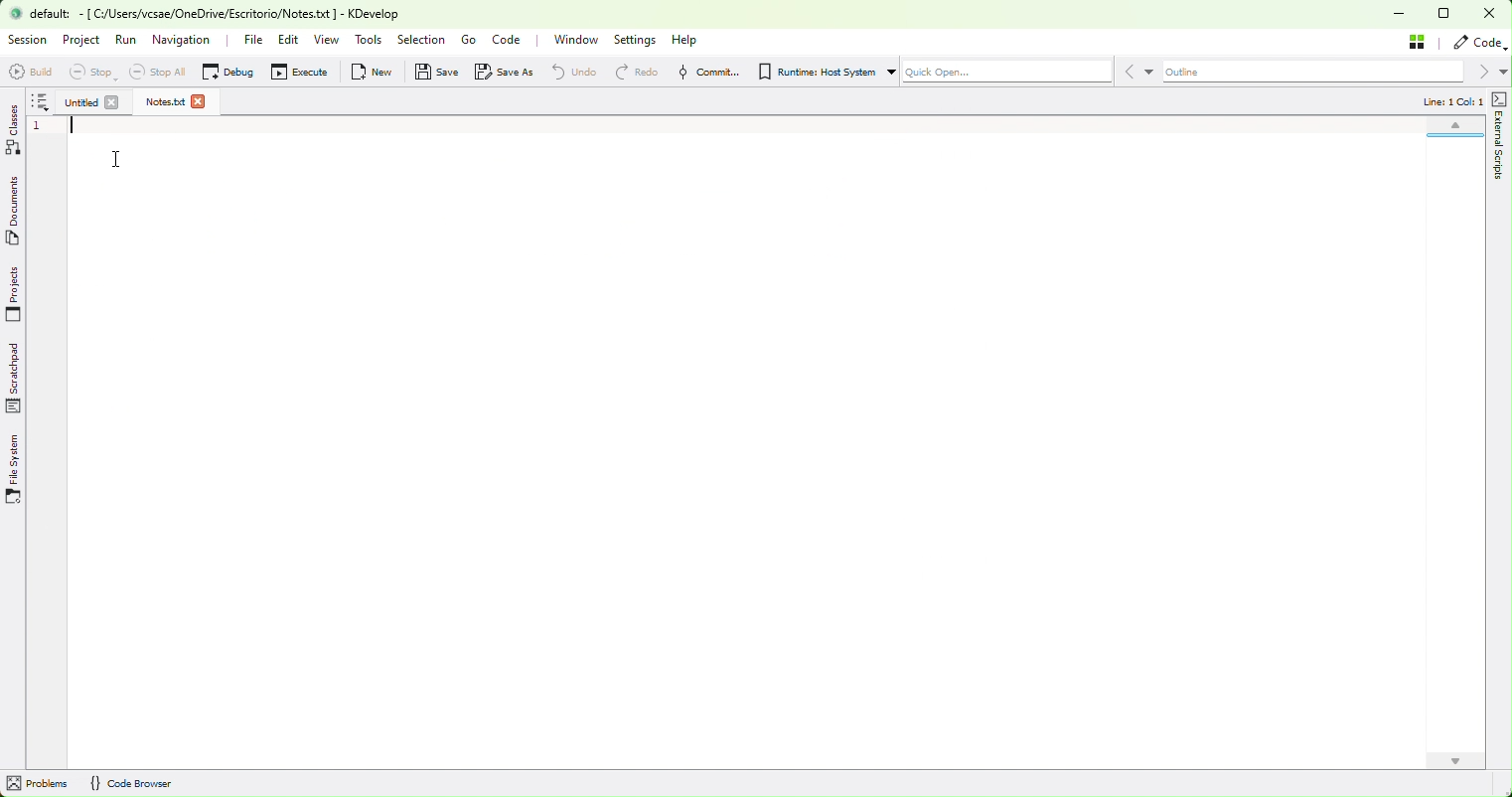 This screenshot has height=797, width=1512. Describe the element at coordinates (113, 159) in the screenshot. I see `cursor` at that location.